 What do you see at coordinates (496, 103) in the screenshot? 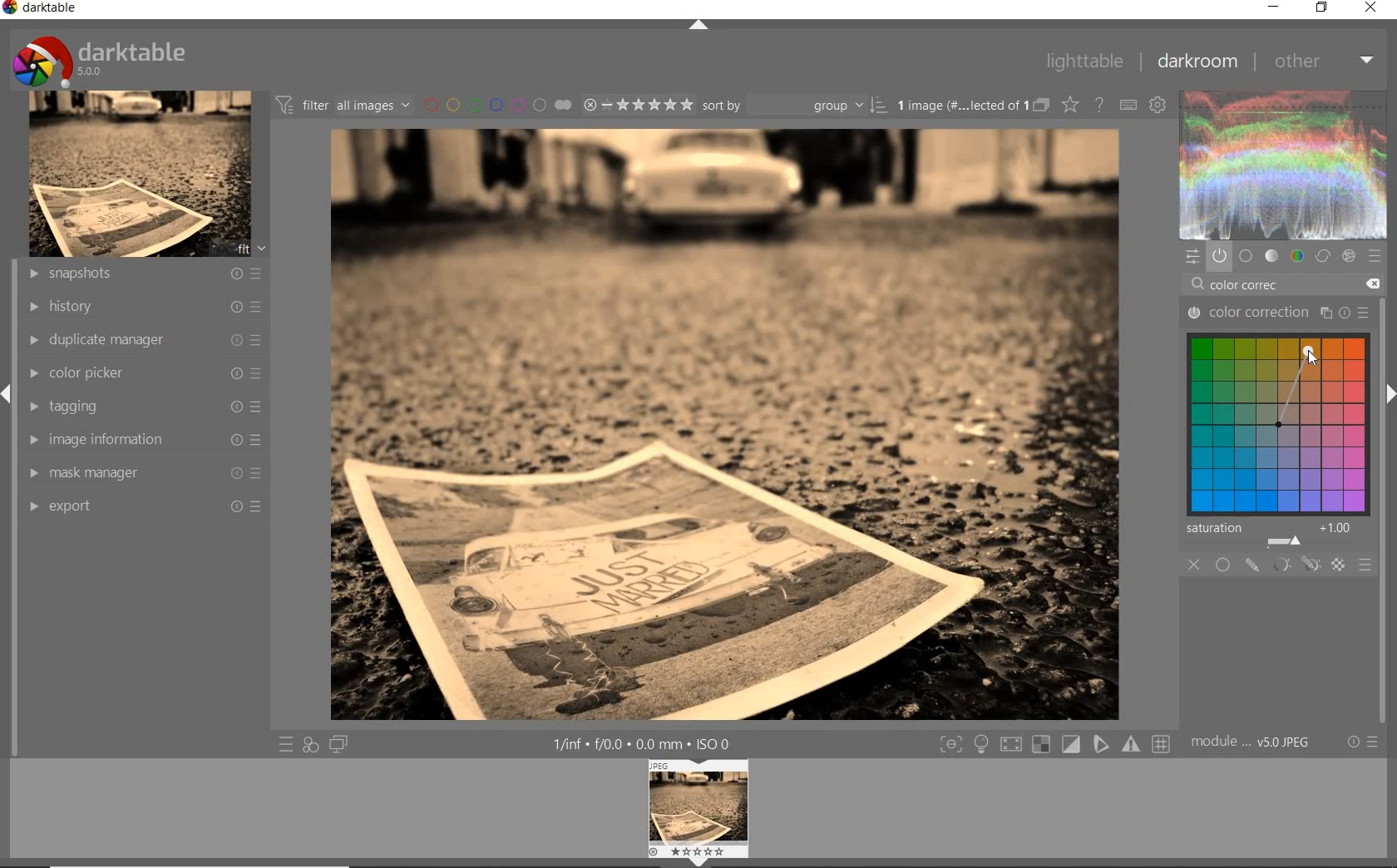
I see `filter by image color lebel` at bounding box center [496, 103].